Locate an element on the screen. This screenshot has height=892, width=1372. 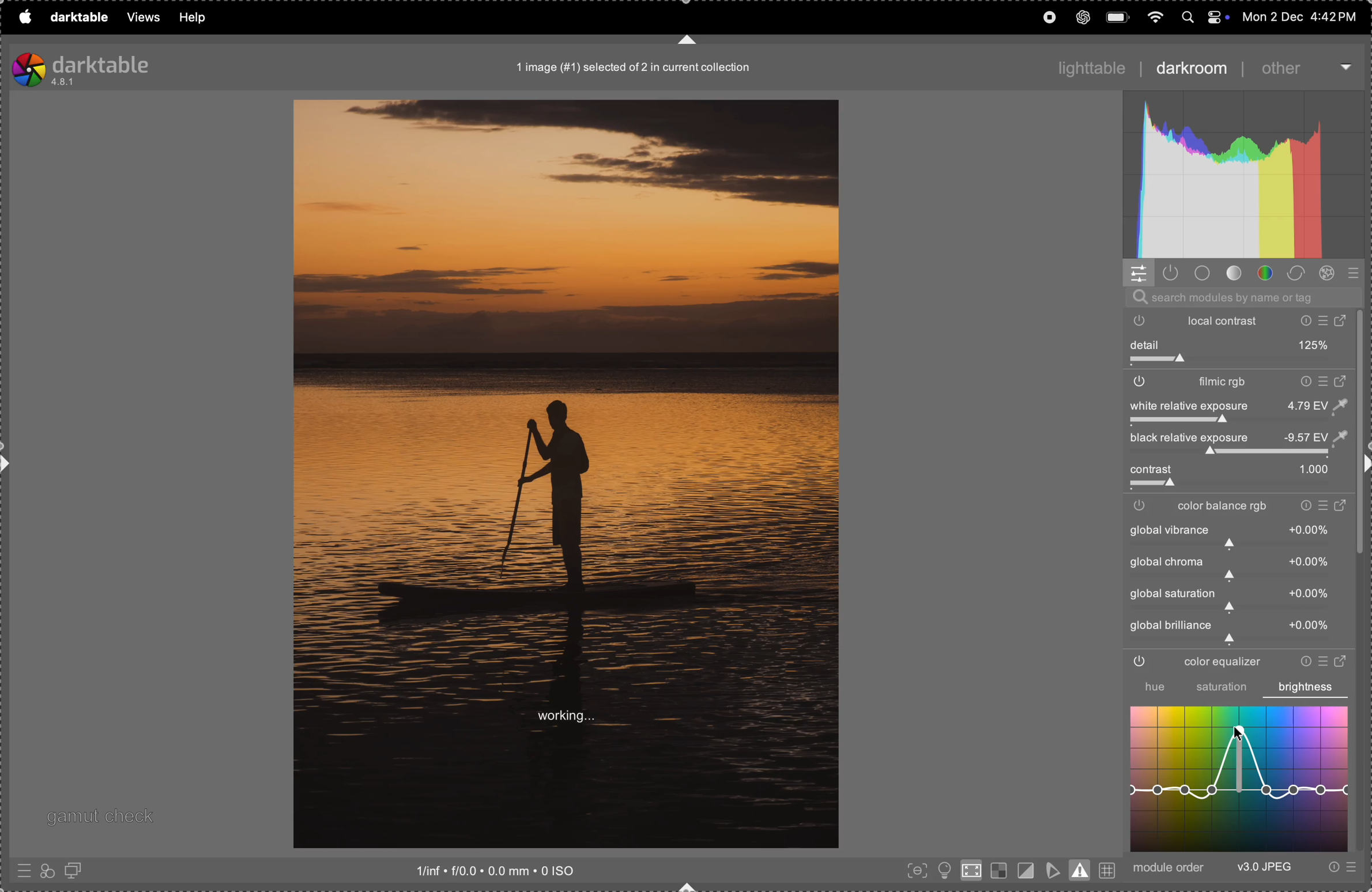
apply filter is located at coordinates (47, 870).